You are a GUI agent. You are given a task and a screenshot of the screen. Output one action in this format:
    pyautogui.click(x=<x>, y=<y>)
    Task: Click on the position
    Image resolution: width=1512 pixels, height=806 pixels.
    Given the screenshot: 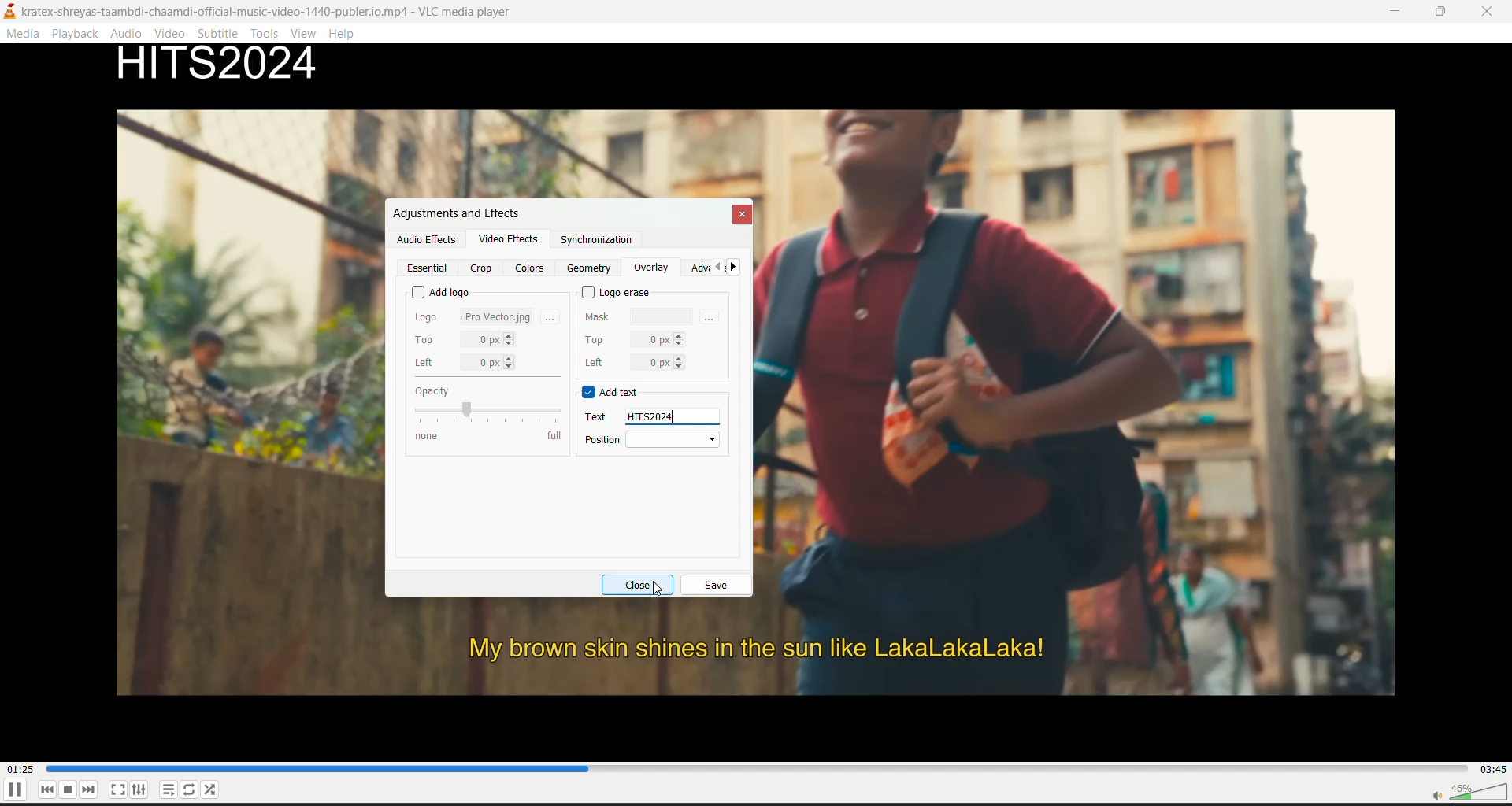 What is the action you would take?
    pyautogui.click(x=655, y=438)
    